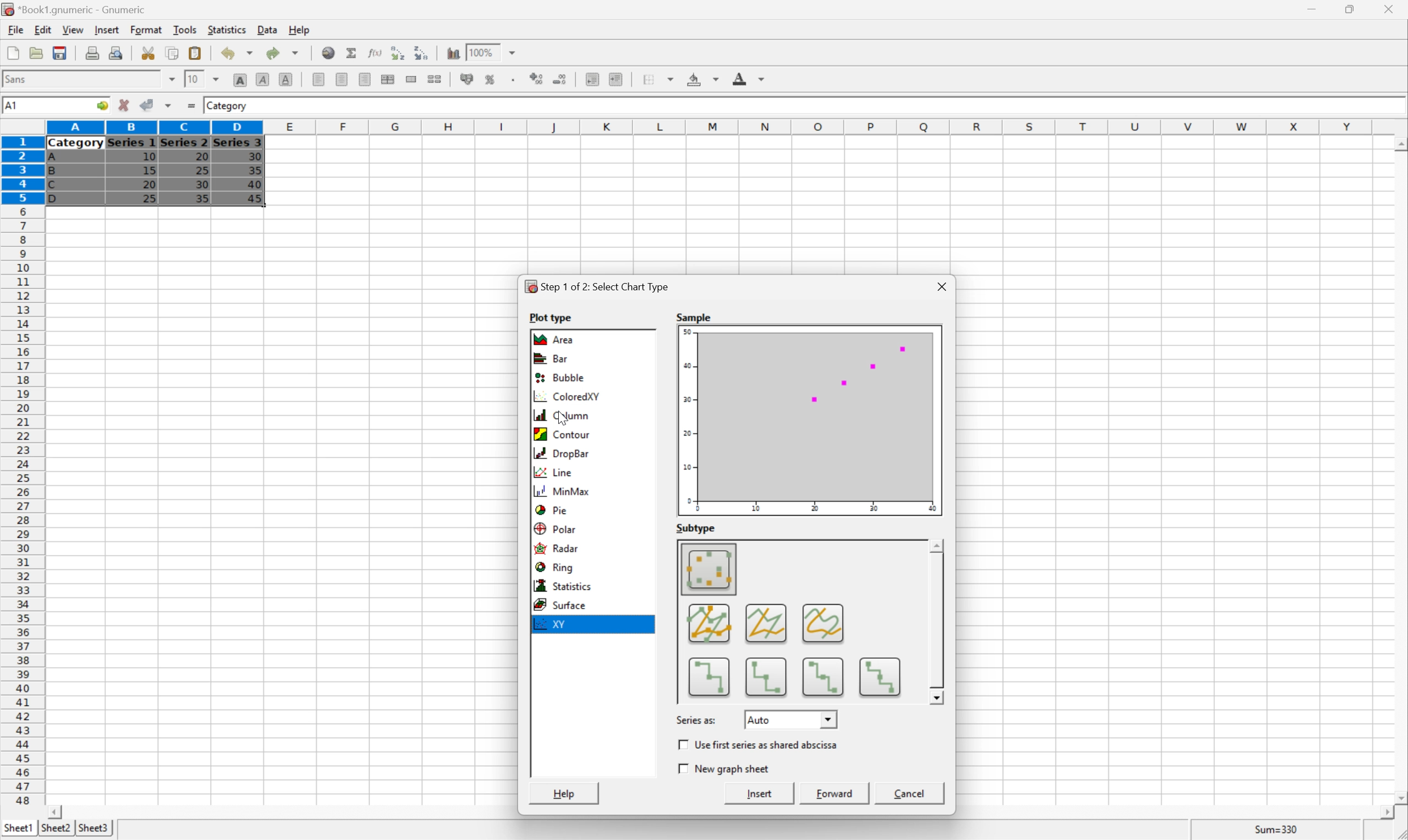 The image size is (1408, 840). What do you see at coordinates (193, 104) in the screenshot?
I see `Enter formula` at bounding box center [193, 104].